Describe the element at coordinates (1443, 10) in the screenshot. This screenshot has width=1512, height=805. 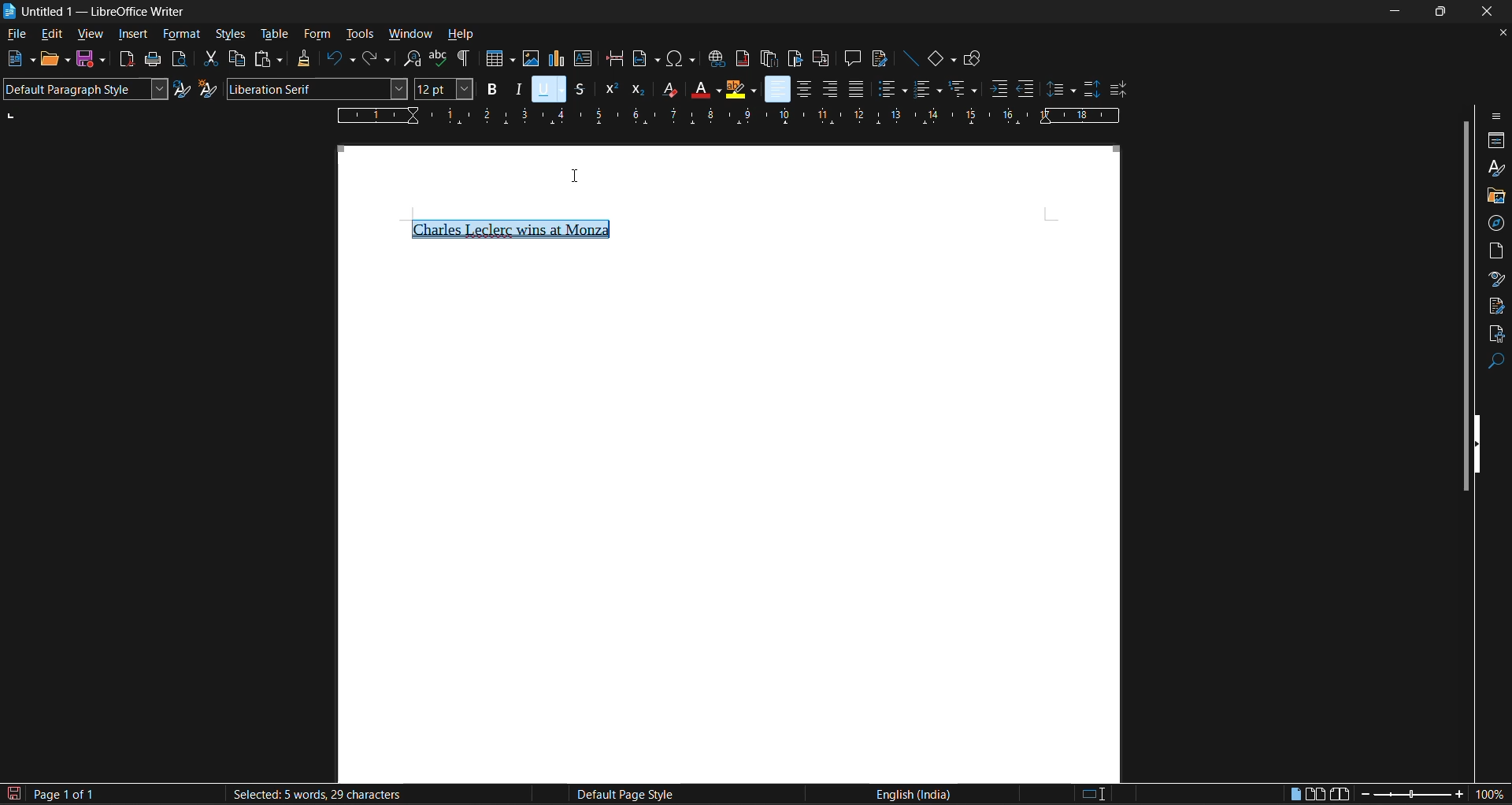
I see `maximize` at that location.